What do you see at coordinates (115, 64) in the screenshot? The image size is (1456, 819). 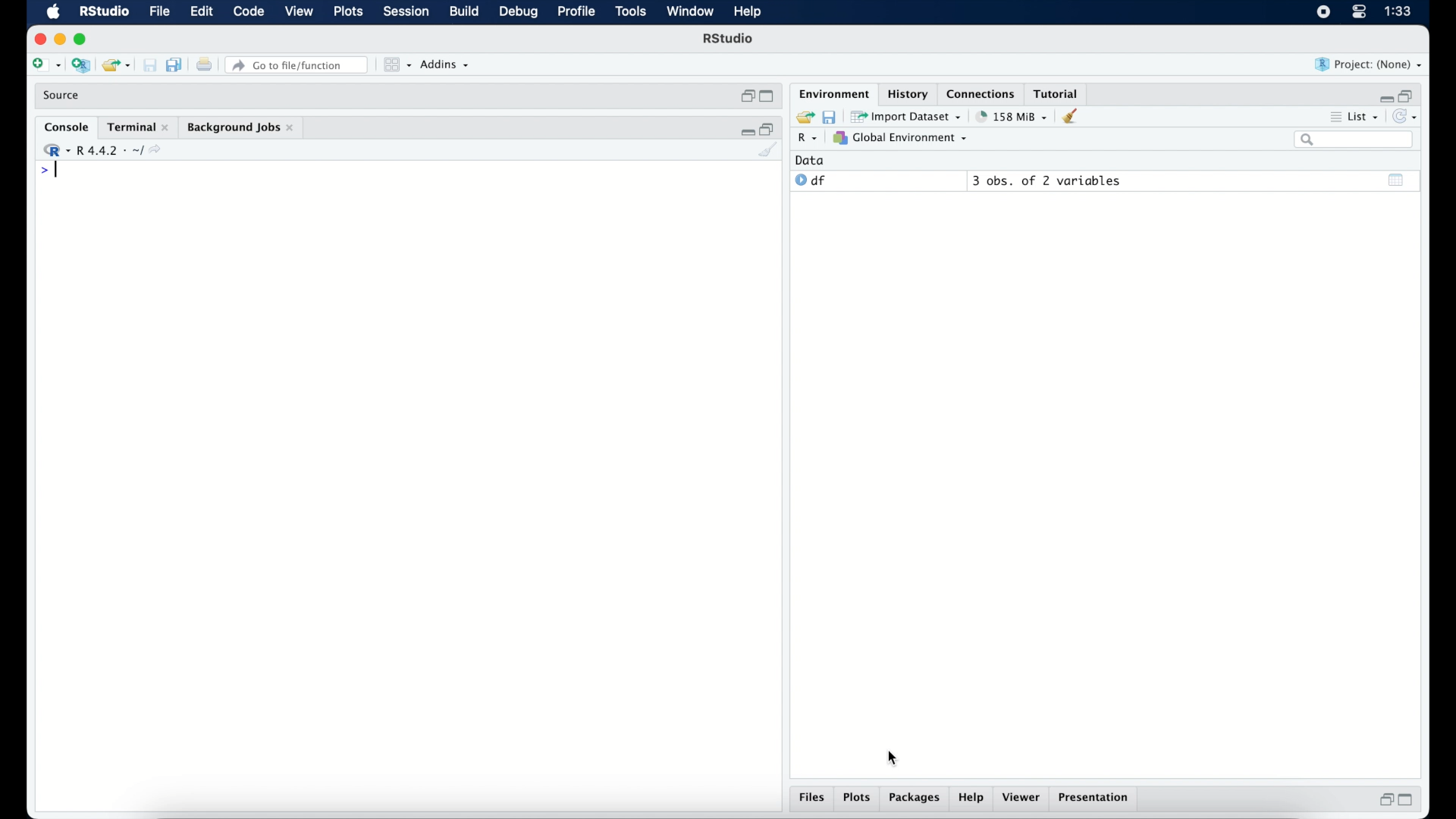 I see `open existing project` at bounding box center [115, 64].